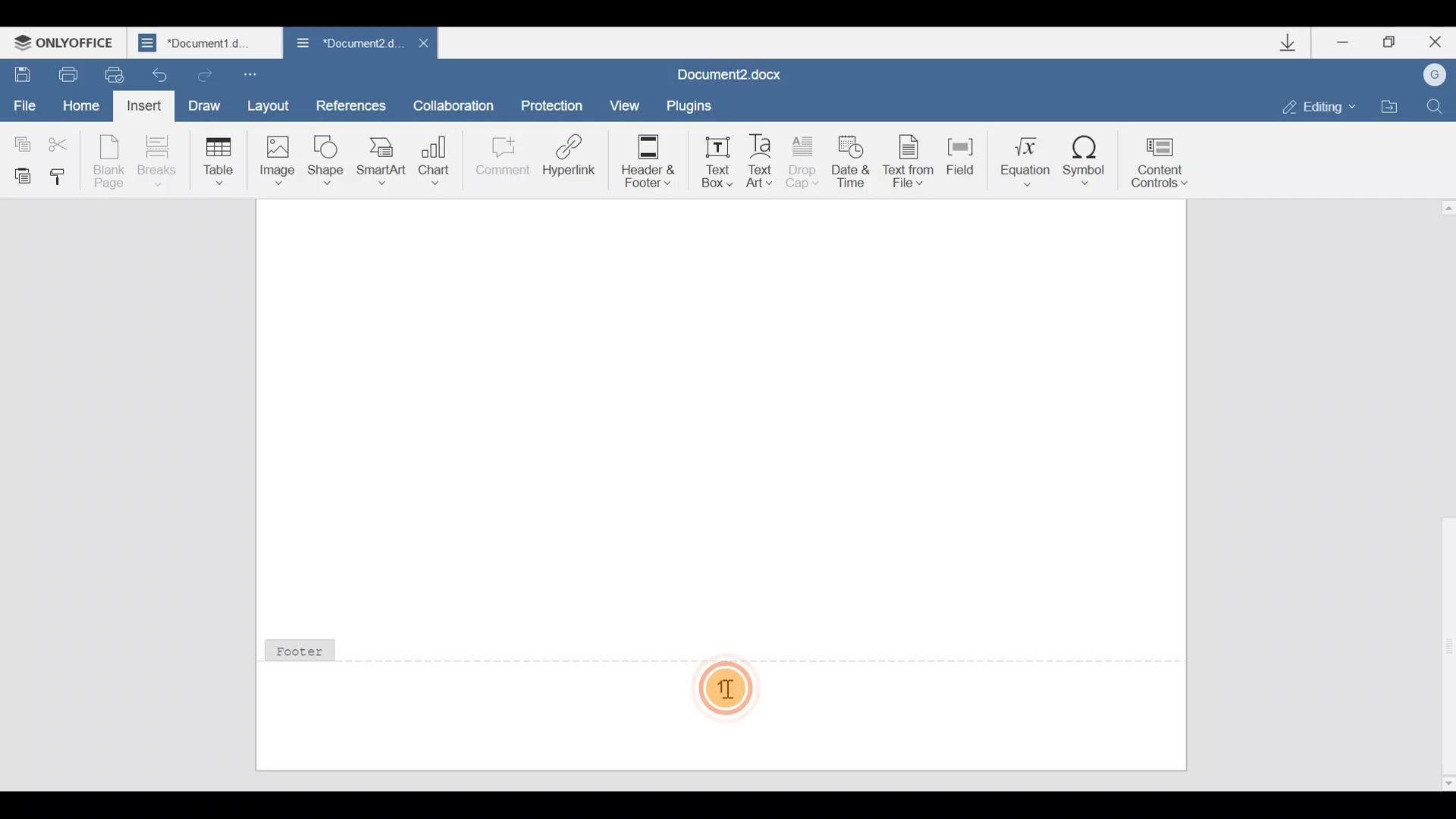 The image size is (1456, 819). What do you see at coordinates (1020, 158) in the screenshot?
I see `Equation` at bounding box center [1020, 158].